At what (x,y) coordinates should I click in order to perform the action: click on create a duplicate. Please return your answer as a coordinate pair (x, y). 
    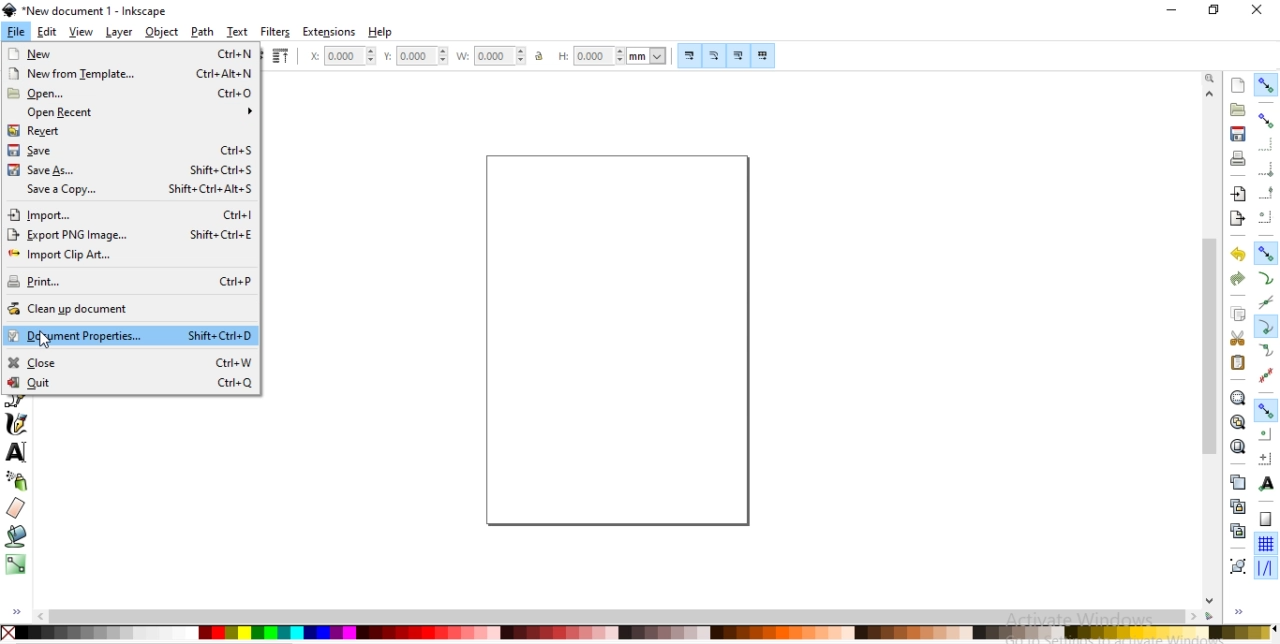
    Looking at the image, I should click on (1238, 483).